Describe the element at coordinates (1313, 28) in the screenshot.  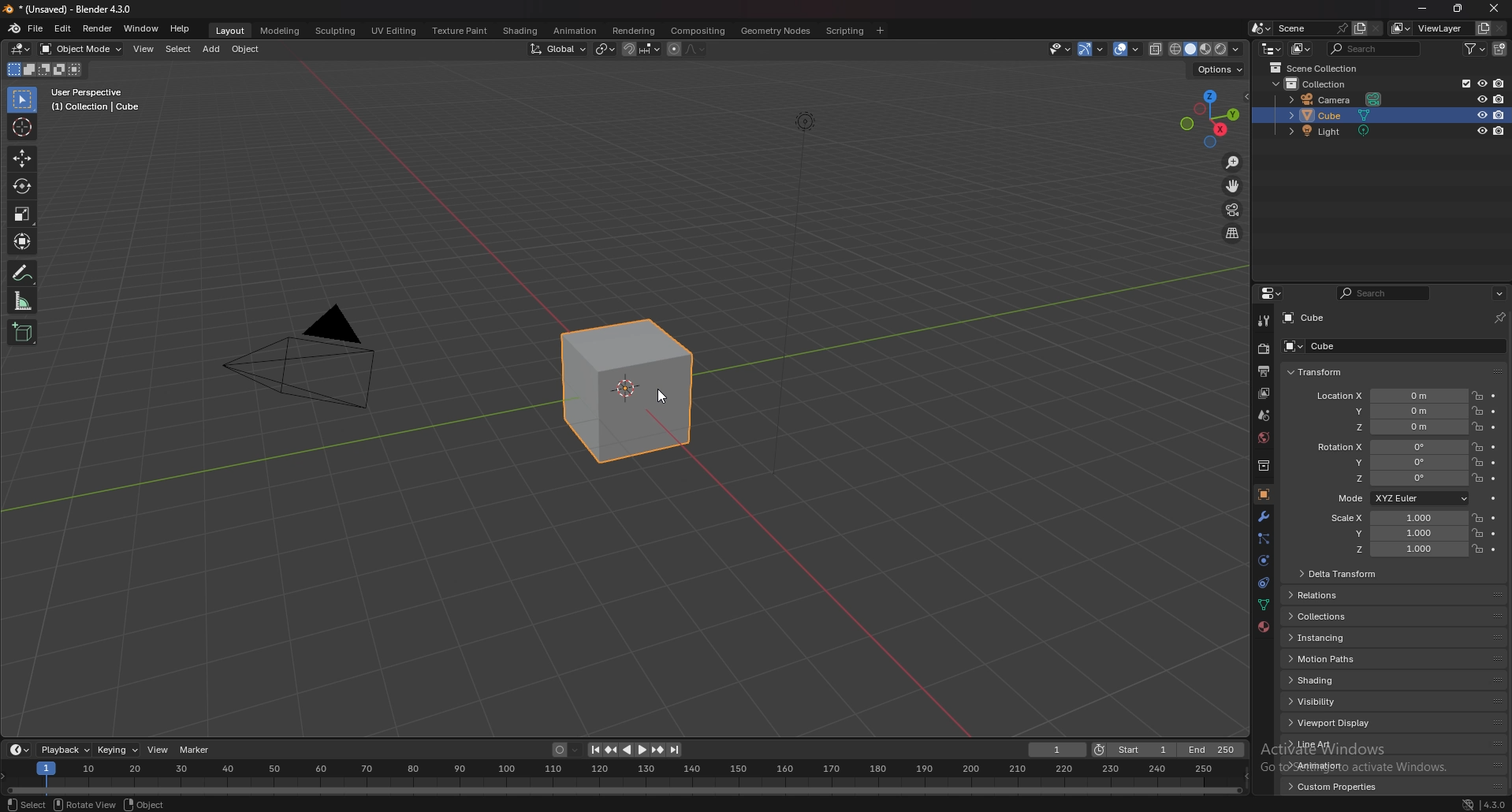
I see `scene` at that location.